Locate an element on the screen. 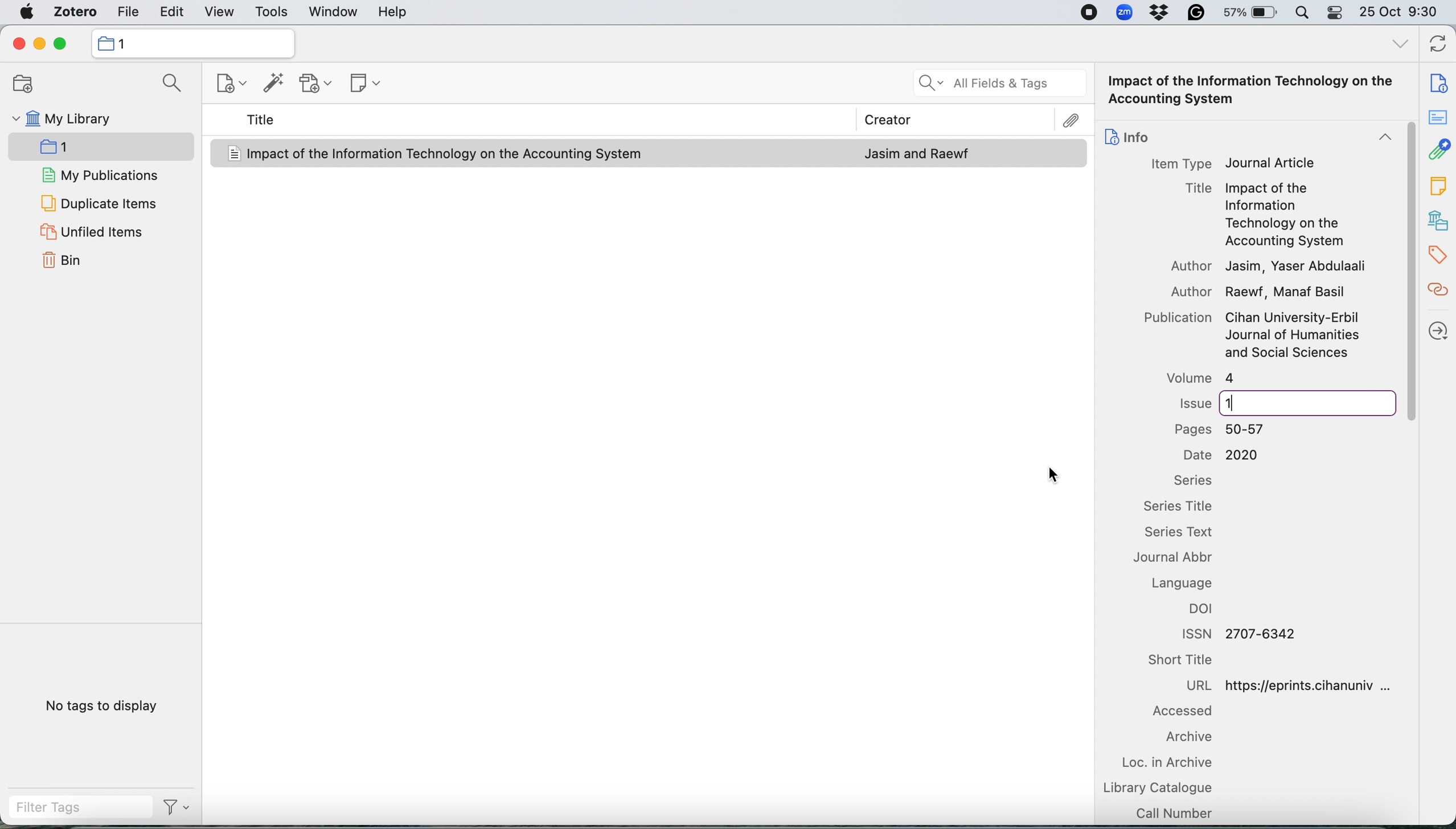 The image size is (1456, 829). maximise is located at coordinates (63, 43).